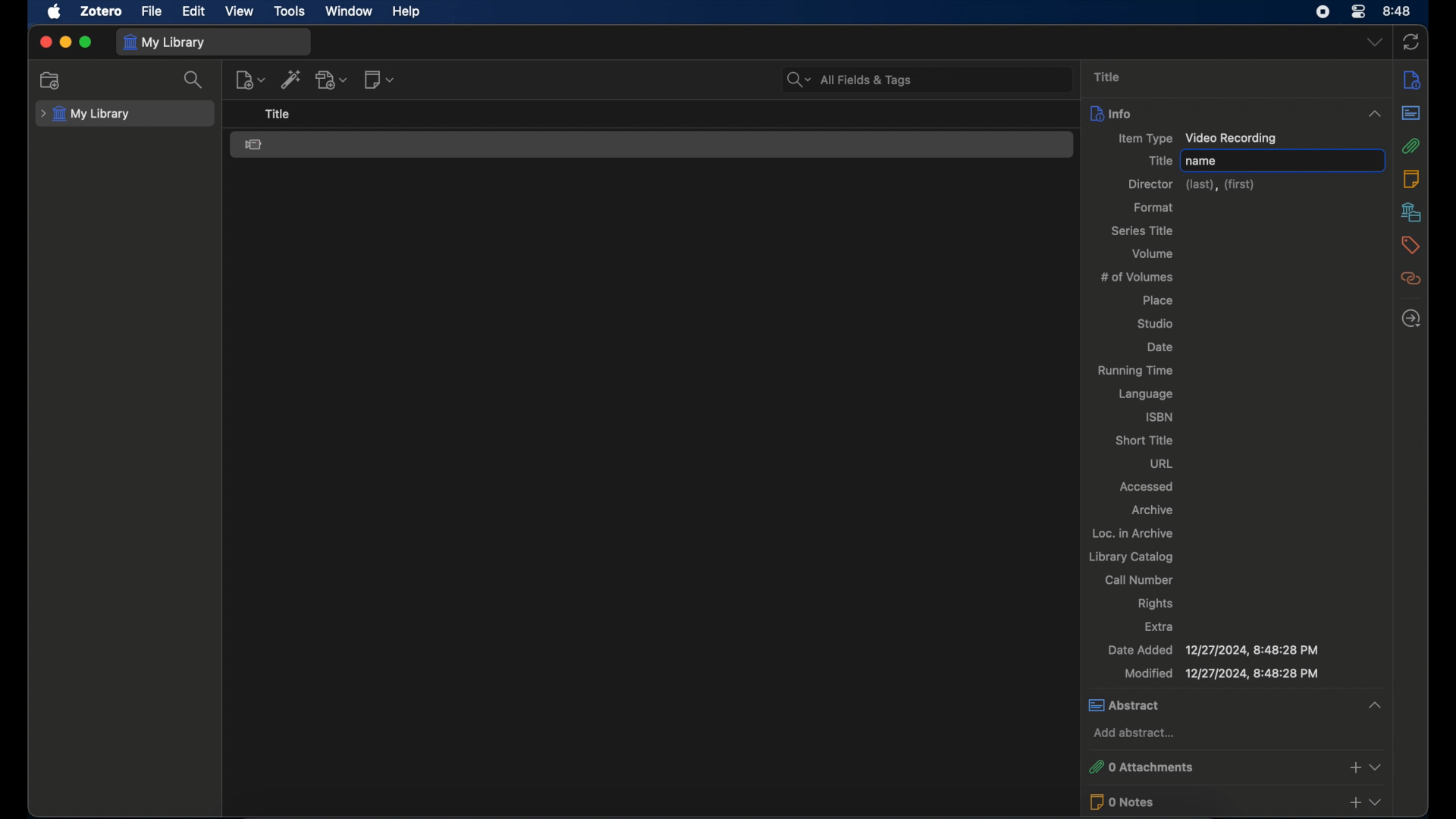 This screenshot has width=1456, height=819. What do you see at coordinates (1377, 767) in the screenshot?
I see `dropdown` at bounding box center [1377, 767].